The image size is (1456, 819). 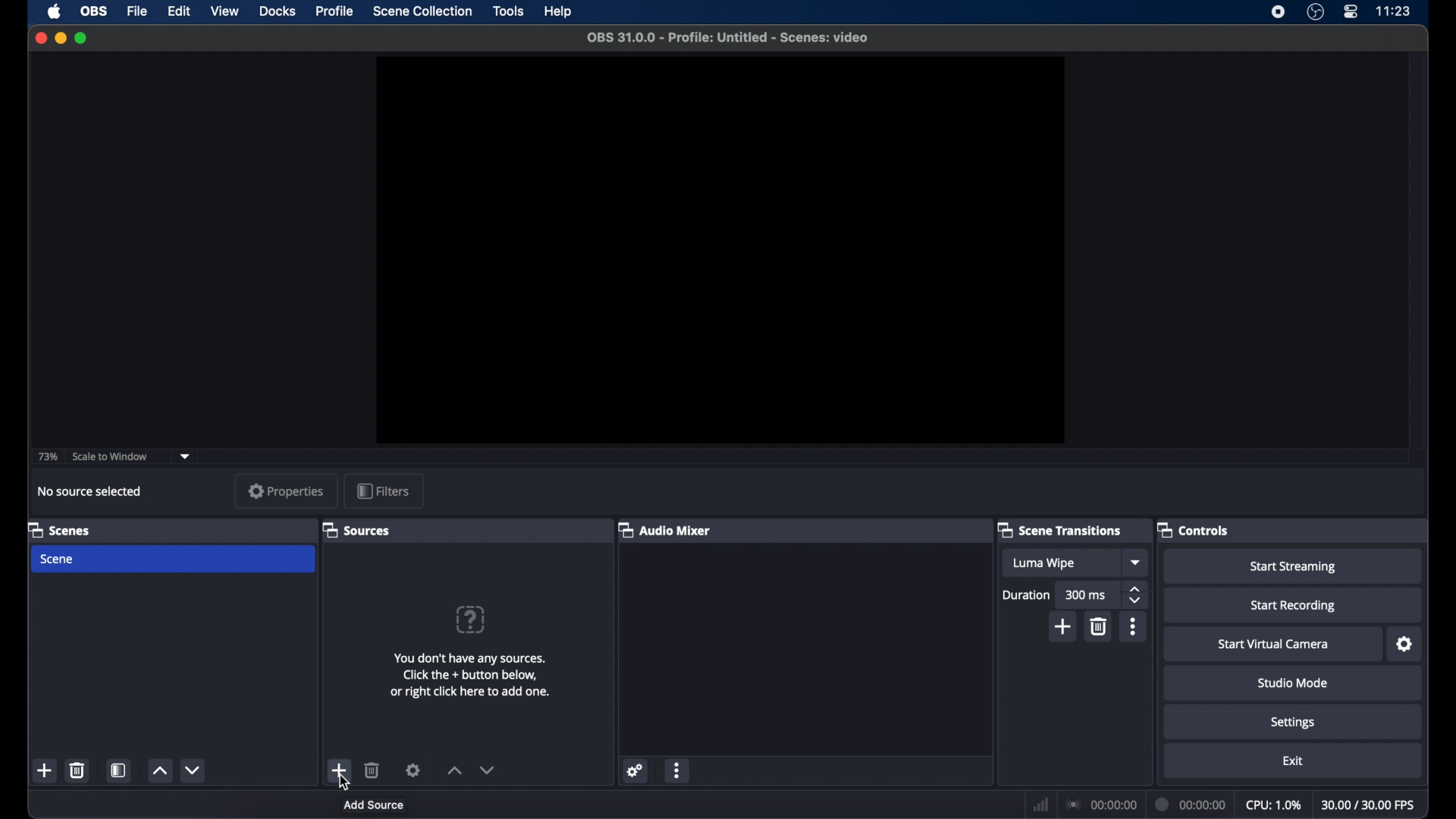 What do you see at coordinates (277, 11) in the screenshot?
I see `docks` at bounding box center [277, 11].